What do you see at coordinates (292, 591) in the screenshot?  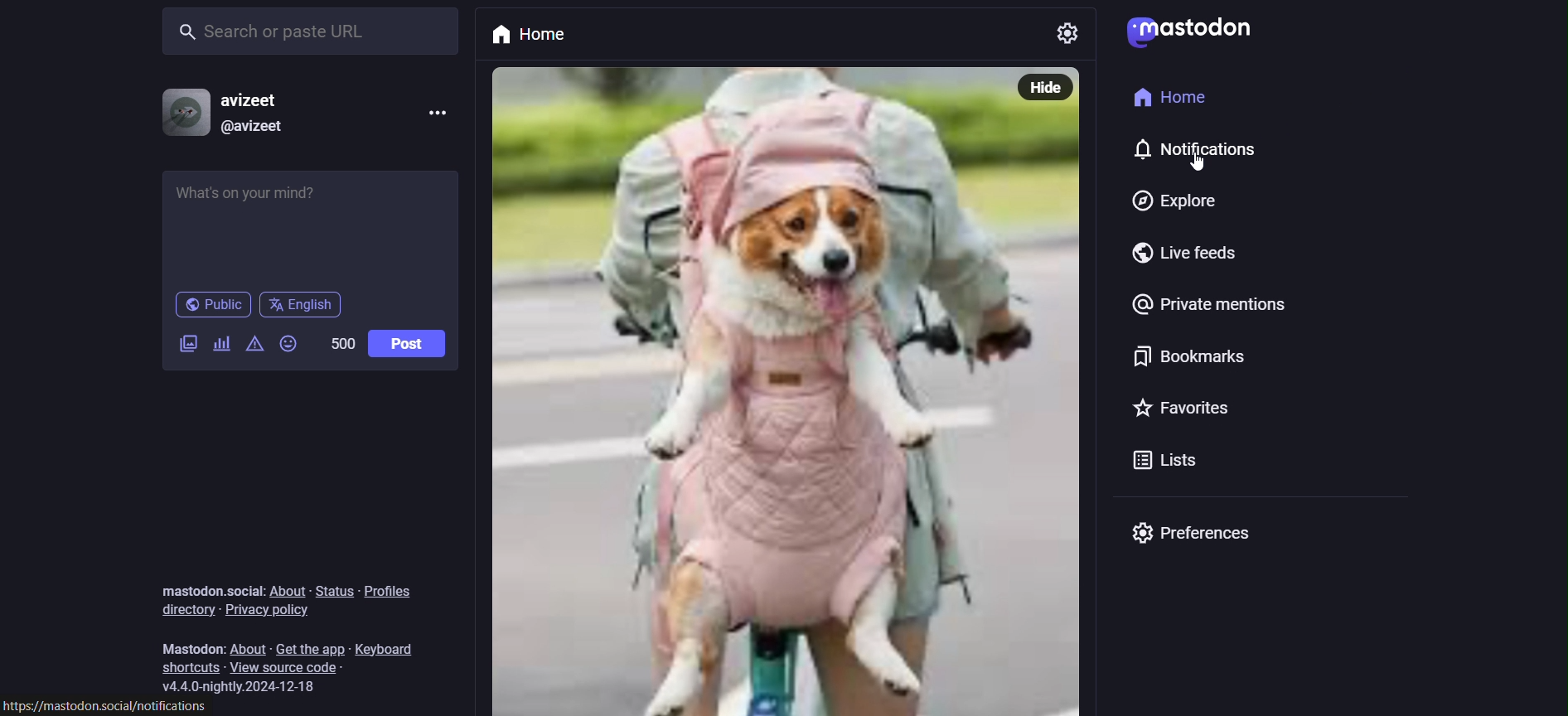 I see `about` at bounding box center [292, 591].